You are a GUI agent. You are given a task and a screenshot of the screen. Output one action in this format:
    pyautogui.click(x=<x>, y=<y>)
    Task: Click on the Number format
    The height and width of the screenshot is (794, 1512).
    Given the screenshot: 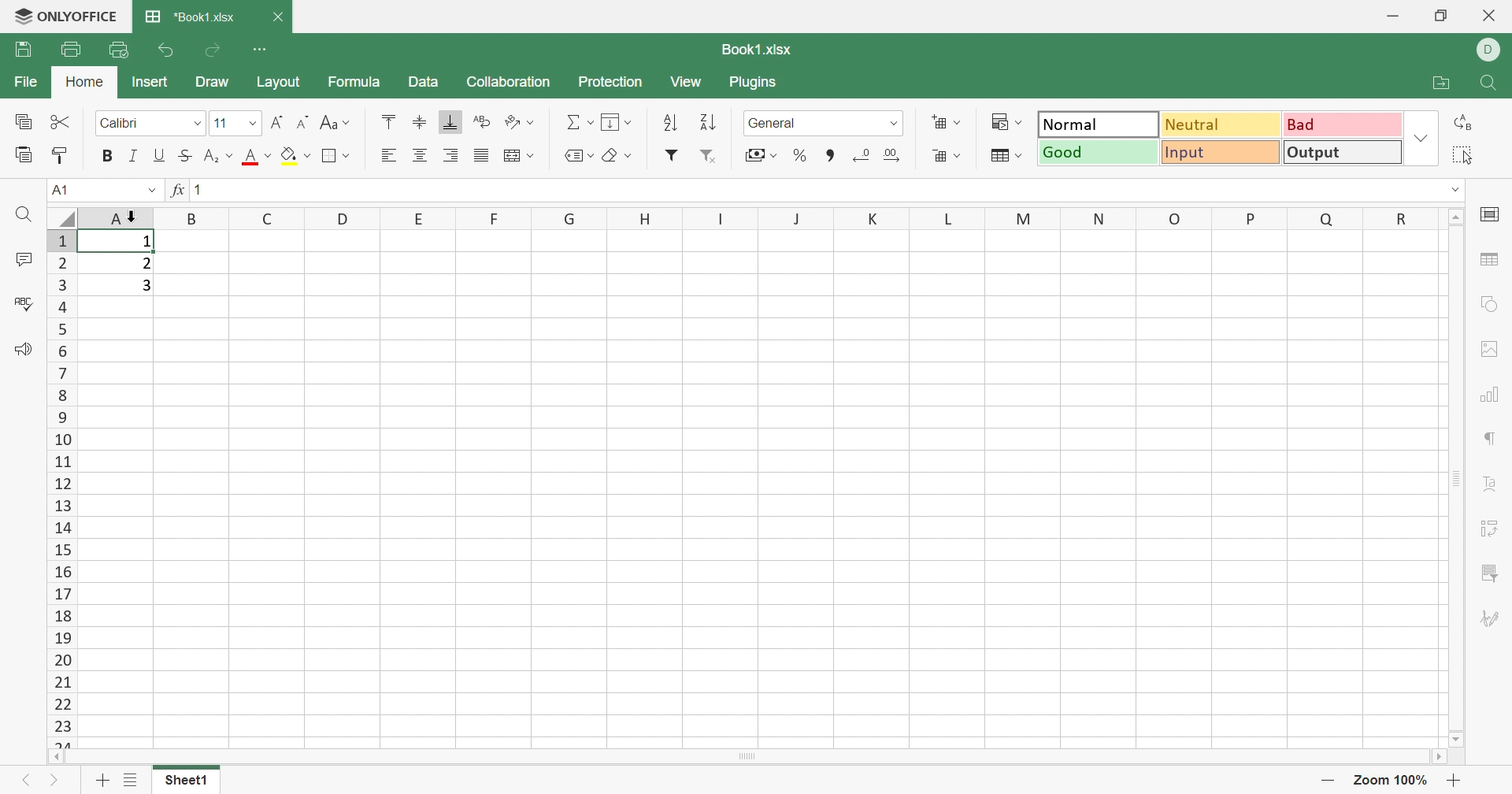 What is the action you would take?
    pyautogui.click(x=825, y=124)
    